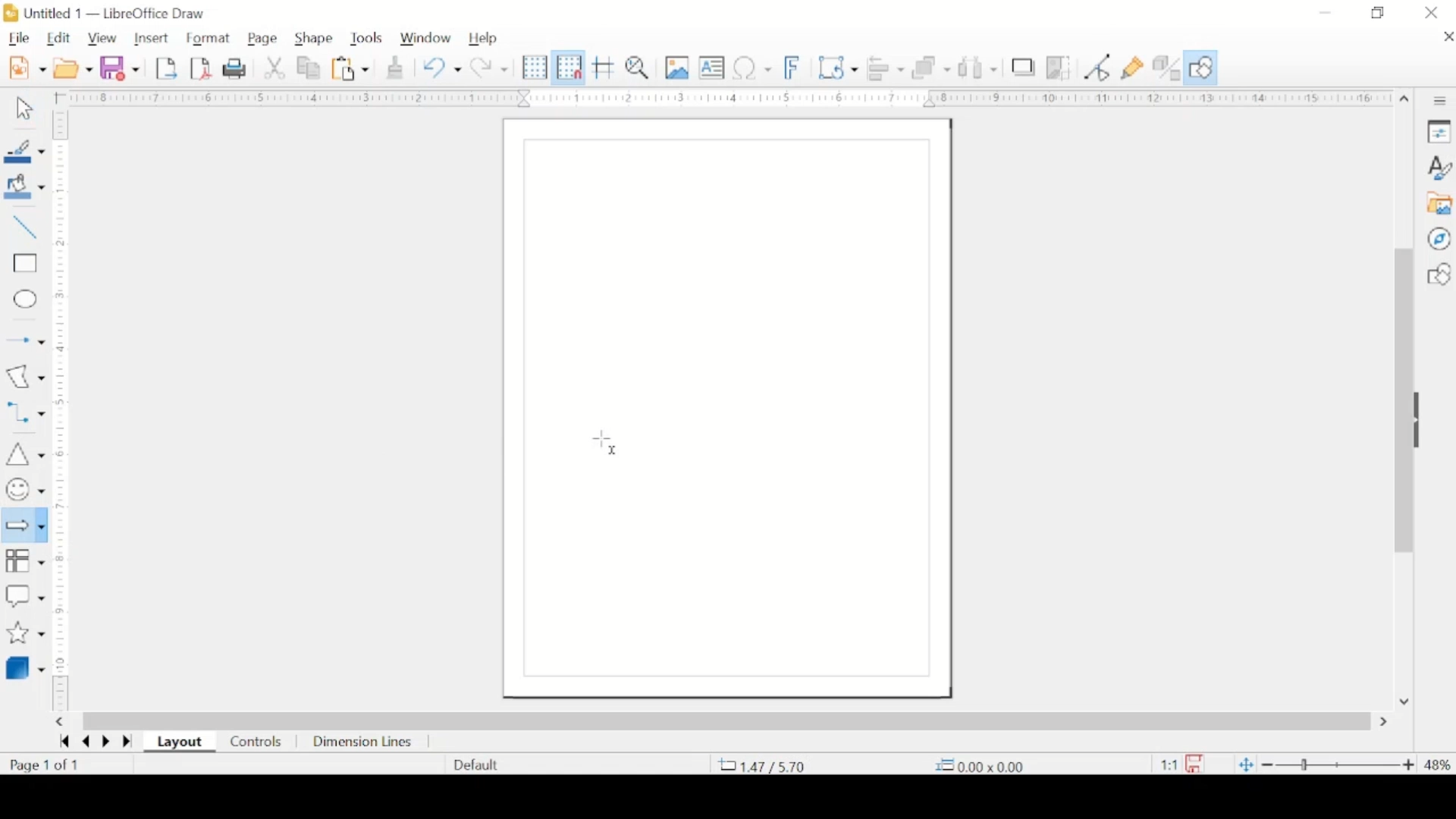 Image resolution: width=1456 pixels, height=819 pixels. I want to click on snap to grid, so click(569, 67).